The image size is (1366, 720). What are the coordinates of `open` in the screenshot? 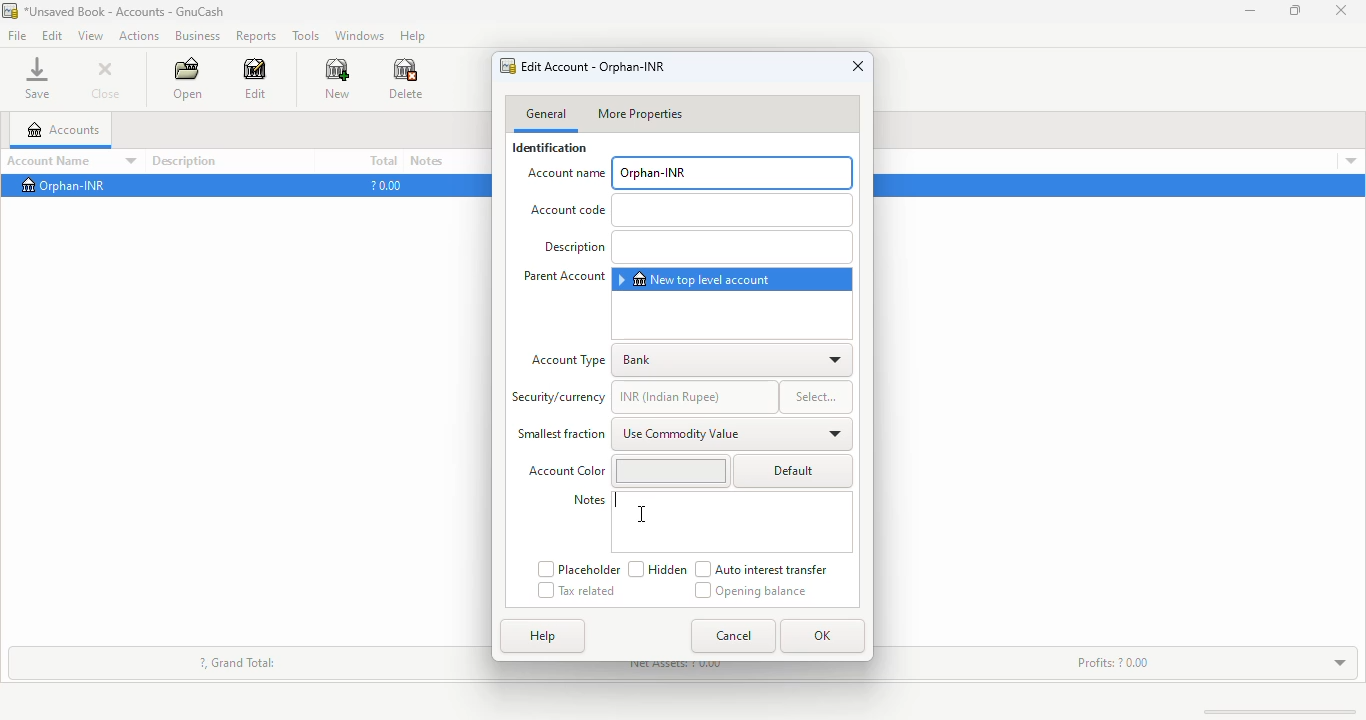 It's located at (188, 79).